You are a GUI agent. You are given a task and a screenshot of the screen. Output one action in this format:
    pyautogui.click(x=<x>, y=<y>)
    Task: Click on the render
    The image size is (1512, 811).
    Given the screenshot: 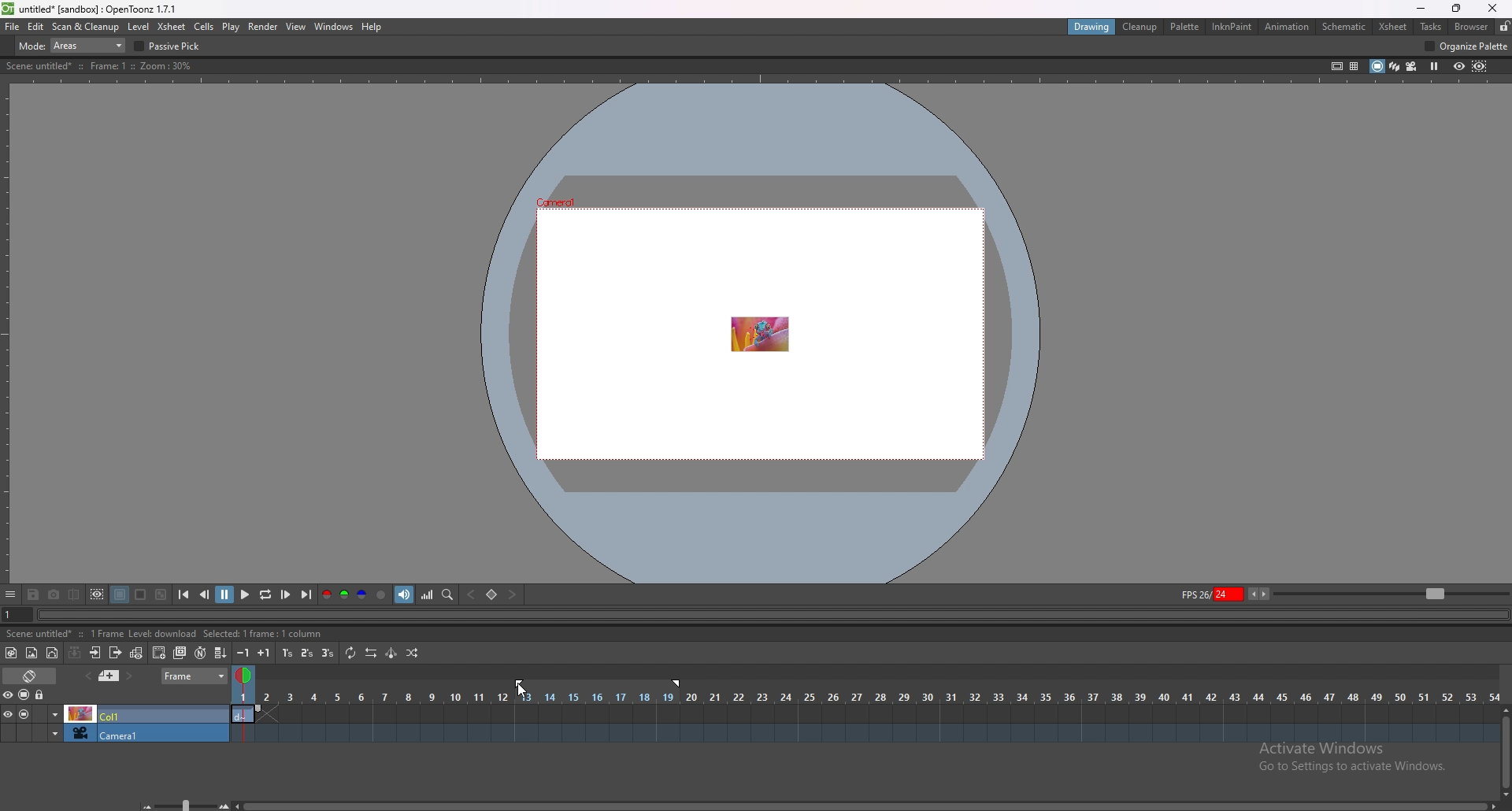 What is the action you would take?
    pyautogui.click(x=264, y=27)
    